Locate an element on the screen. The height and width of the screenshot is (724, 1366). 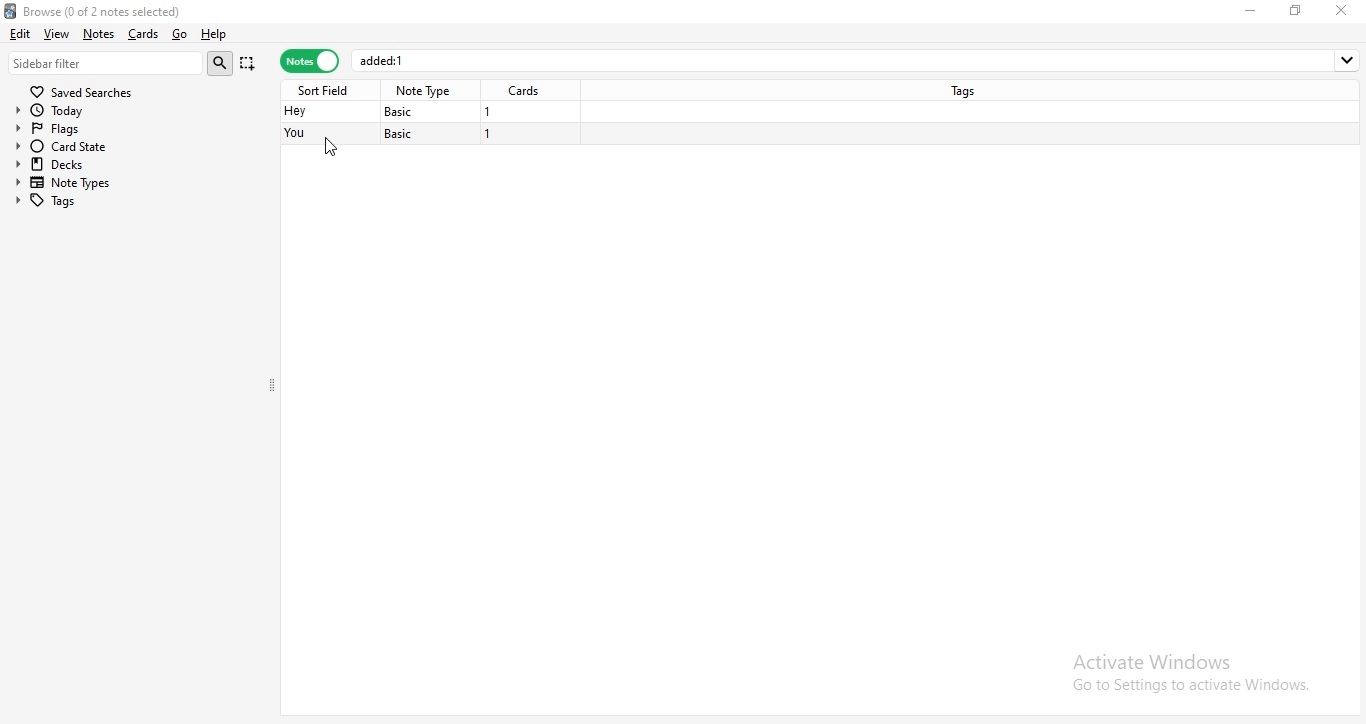
hey is located at coordinates (294, 112).